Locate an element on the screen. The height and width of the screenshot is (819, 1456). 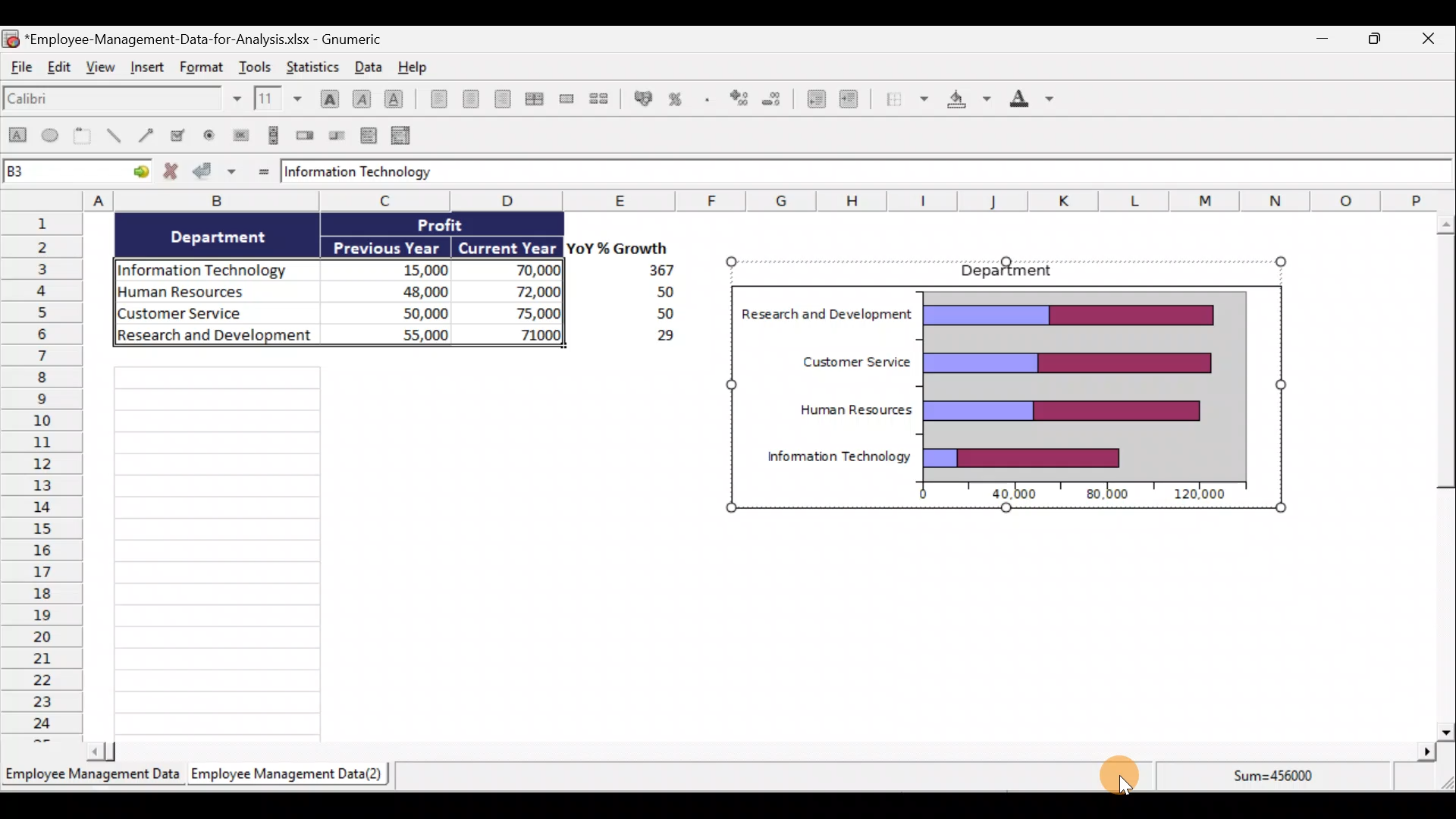
Increase decimals is located at coordinates (740, 96).